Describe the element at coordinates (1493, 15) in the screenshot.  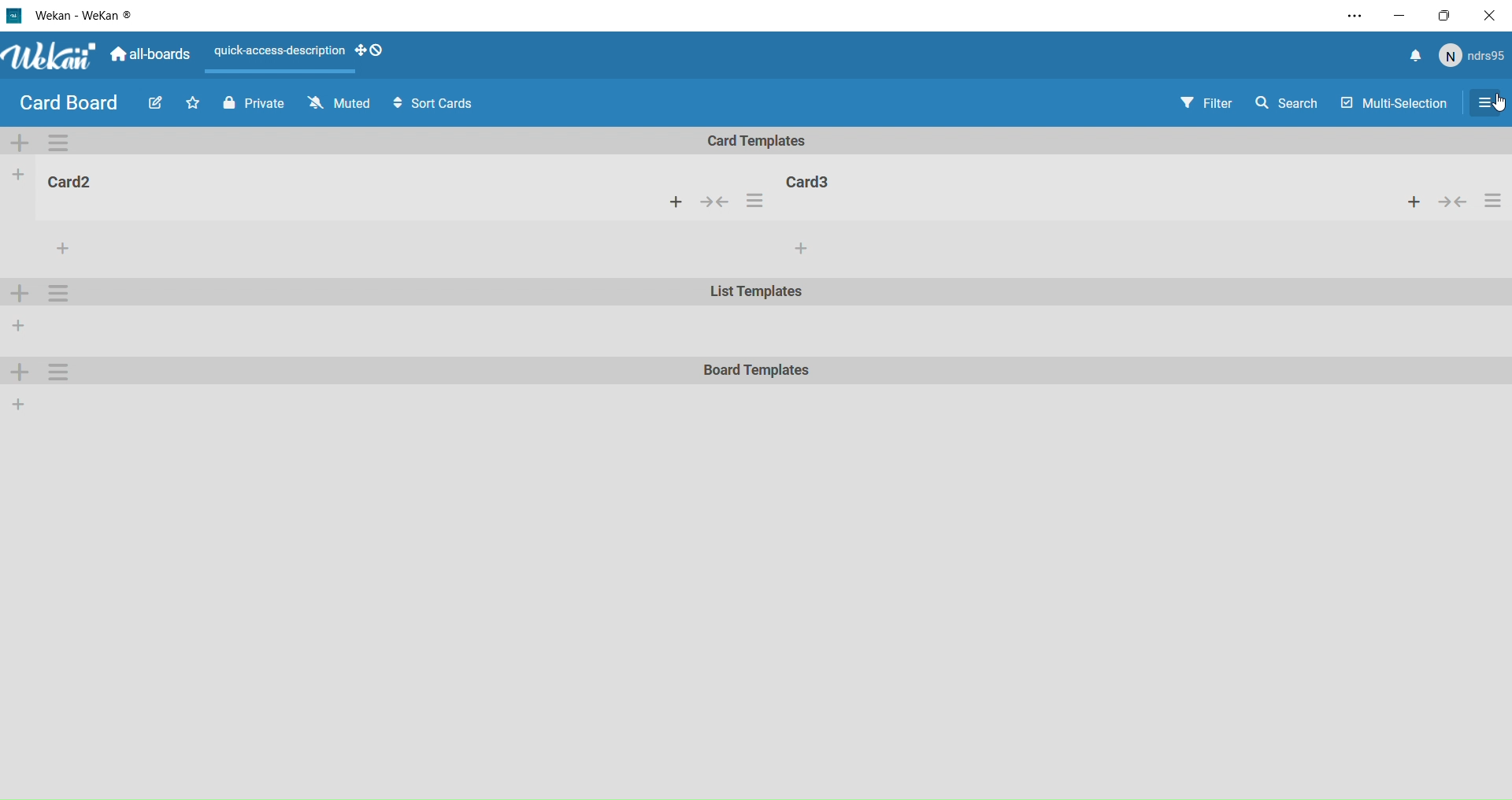
I see `close` at that location.